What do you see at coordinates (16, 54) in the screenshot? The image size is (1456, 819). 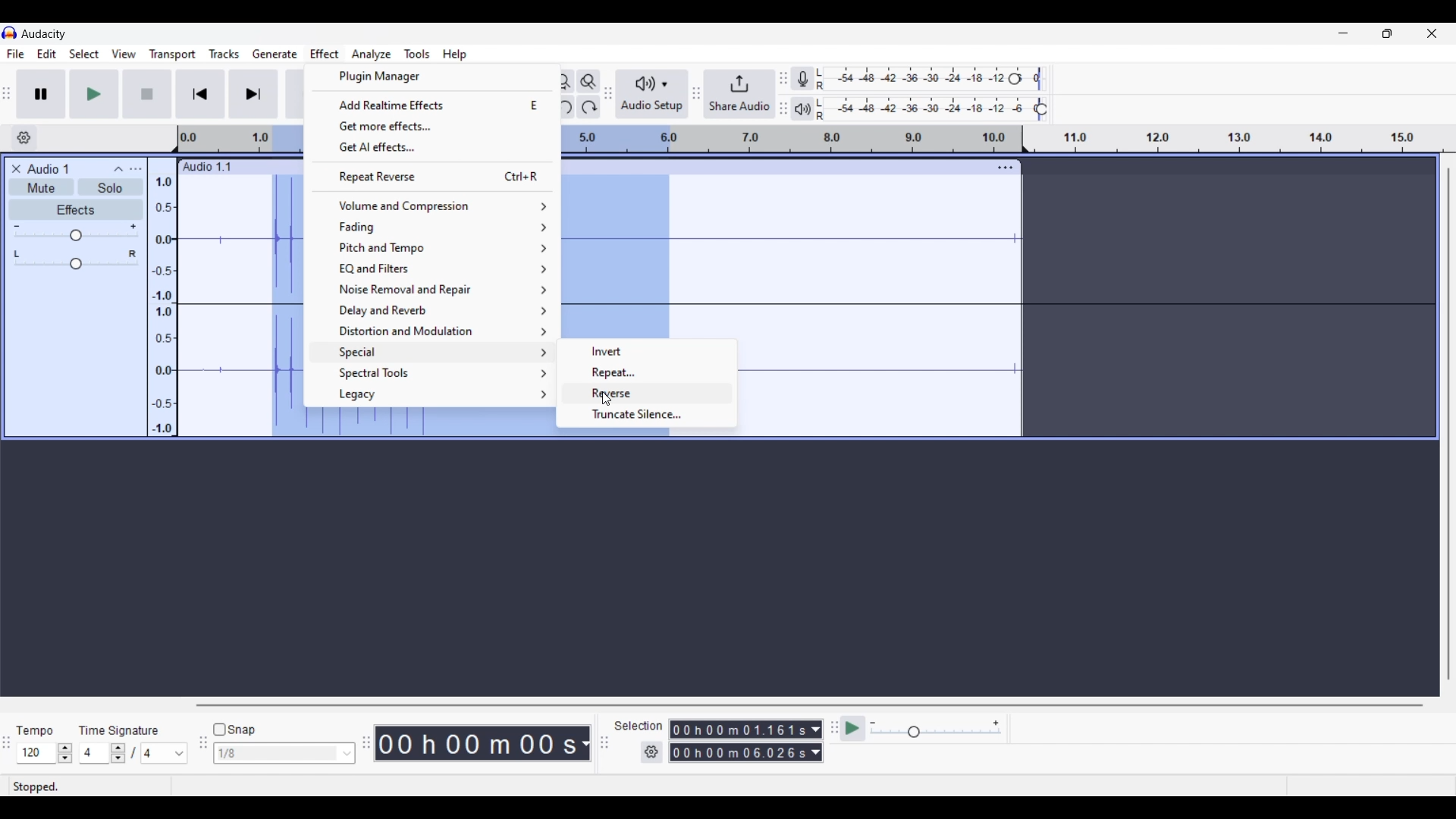 I see `File menu` at bounding box center [16, 54].